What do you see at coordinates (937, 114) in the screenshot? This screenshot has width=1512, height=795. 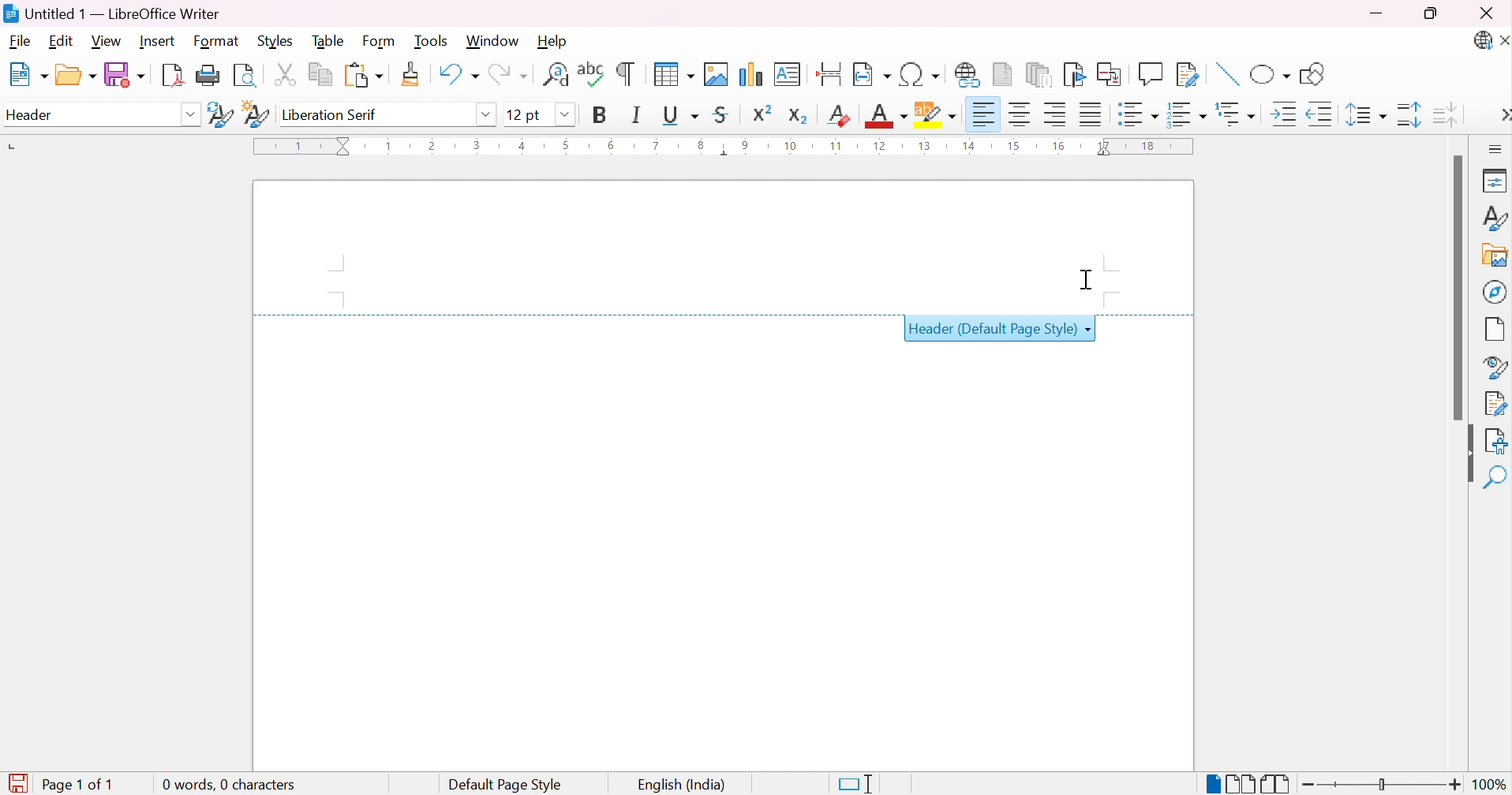 I see `Character highlighting color` at bounding box center [937, 114].